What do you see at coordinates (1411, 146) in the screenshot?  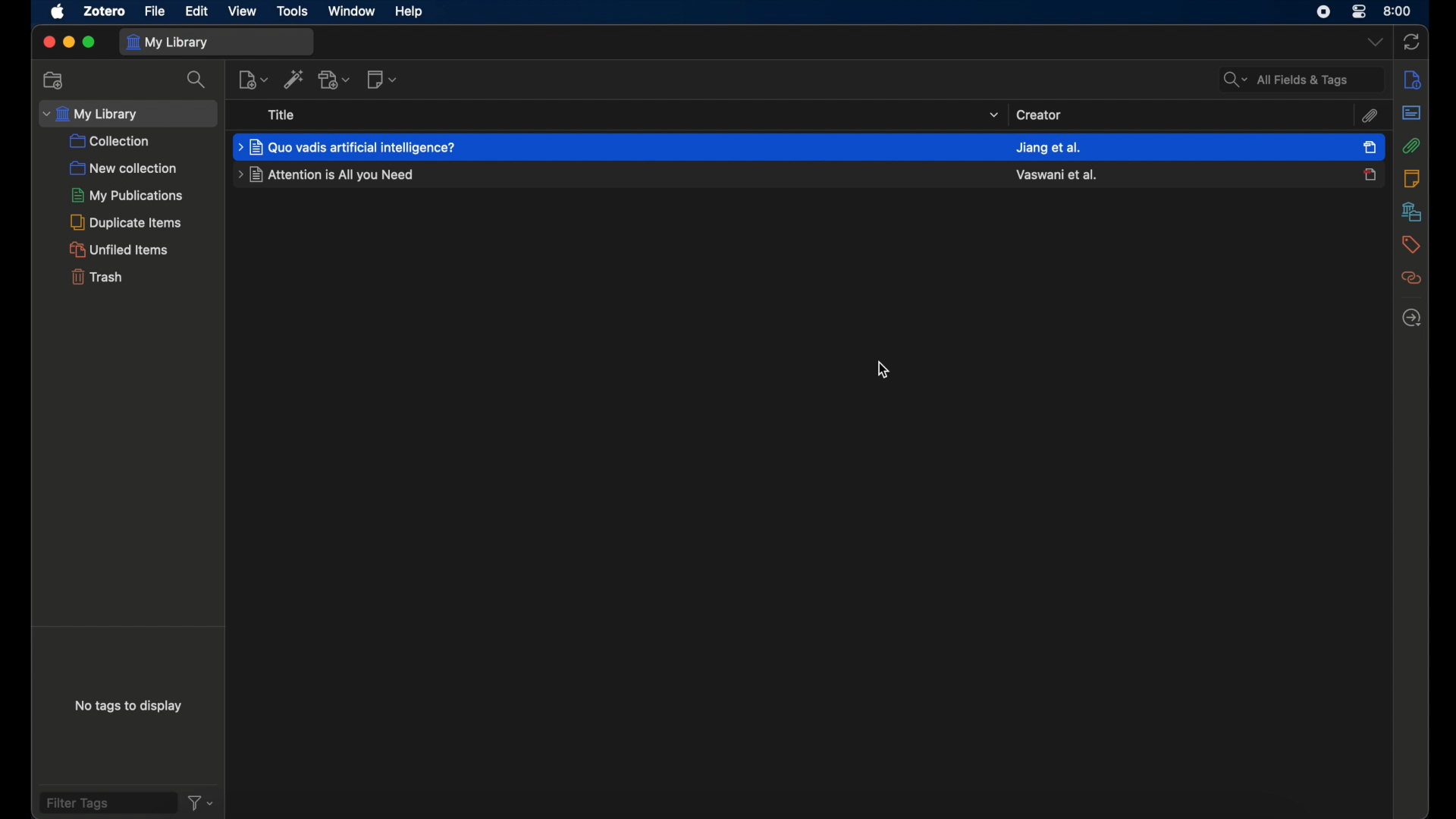 I see `attachments` at bounding box center [1411, 146].